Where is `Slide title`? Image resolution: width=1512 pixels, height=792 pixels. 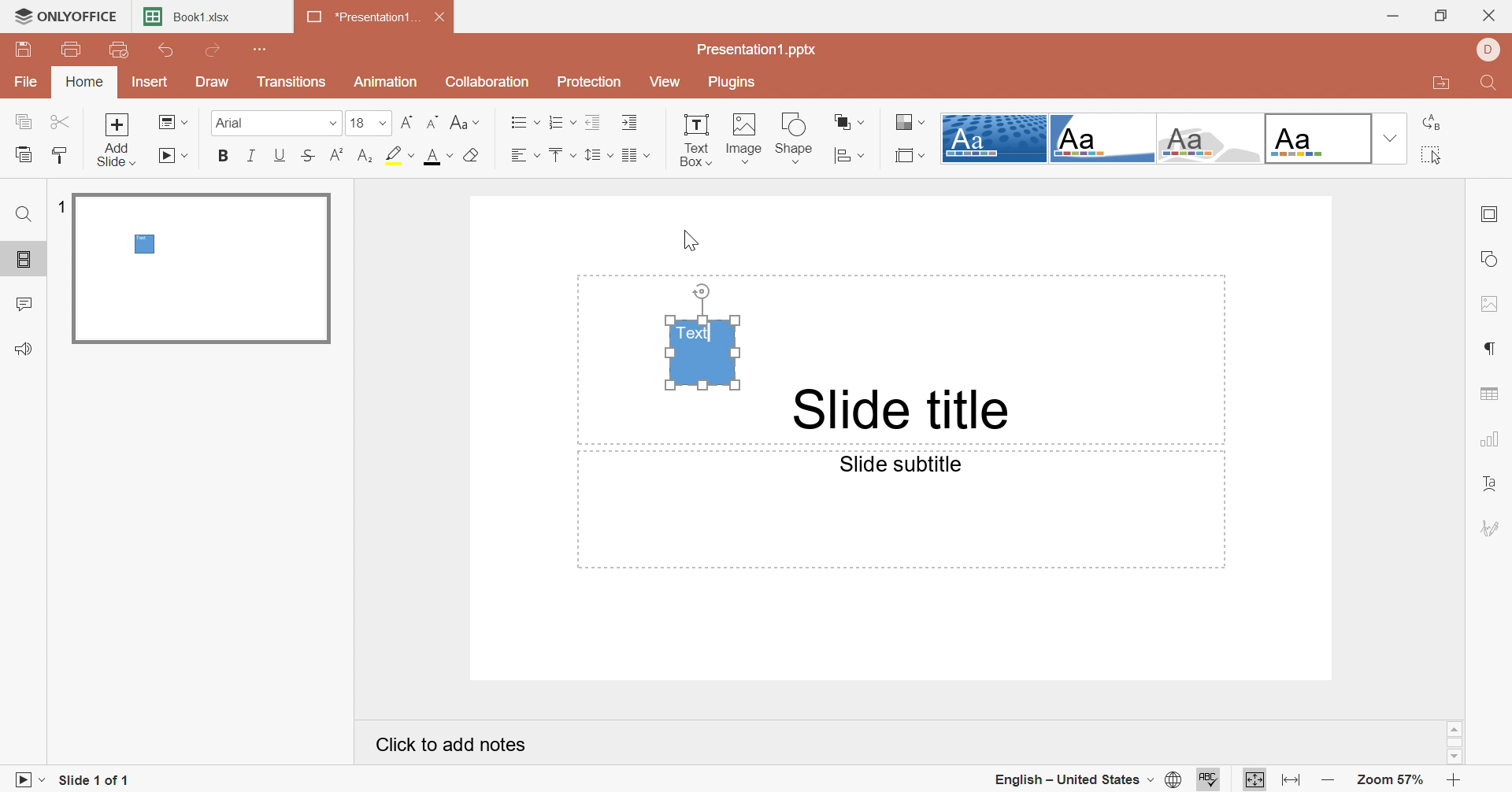
Slide title is located at coordinates (899, 411).